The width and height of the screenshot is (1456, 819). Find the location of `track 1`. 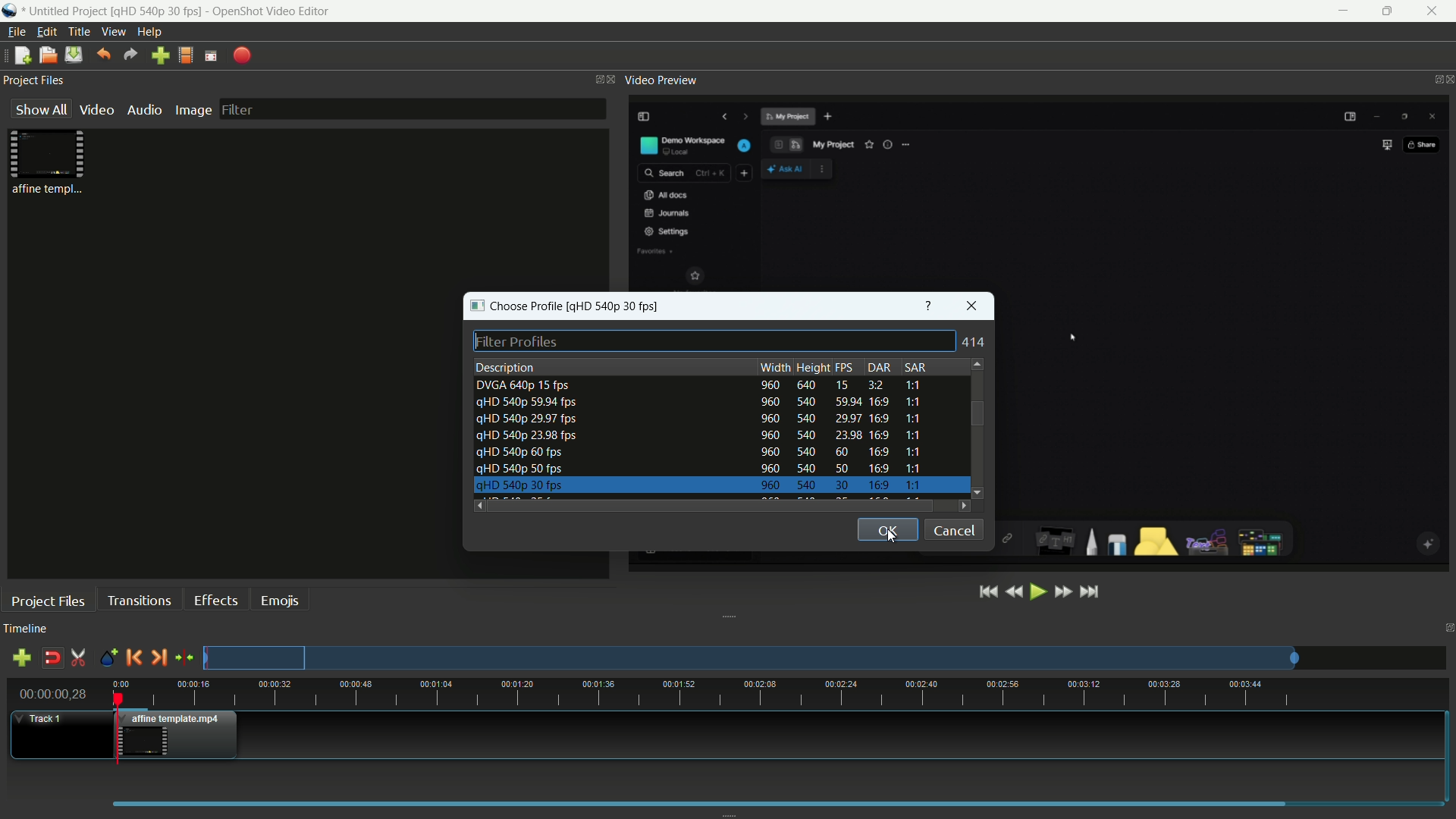

track 1 is located at coordinates (42, 719).